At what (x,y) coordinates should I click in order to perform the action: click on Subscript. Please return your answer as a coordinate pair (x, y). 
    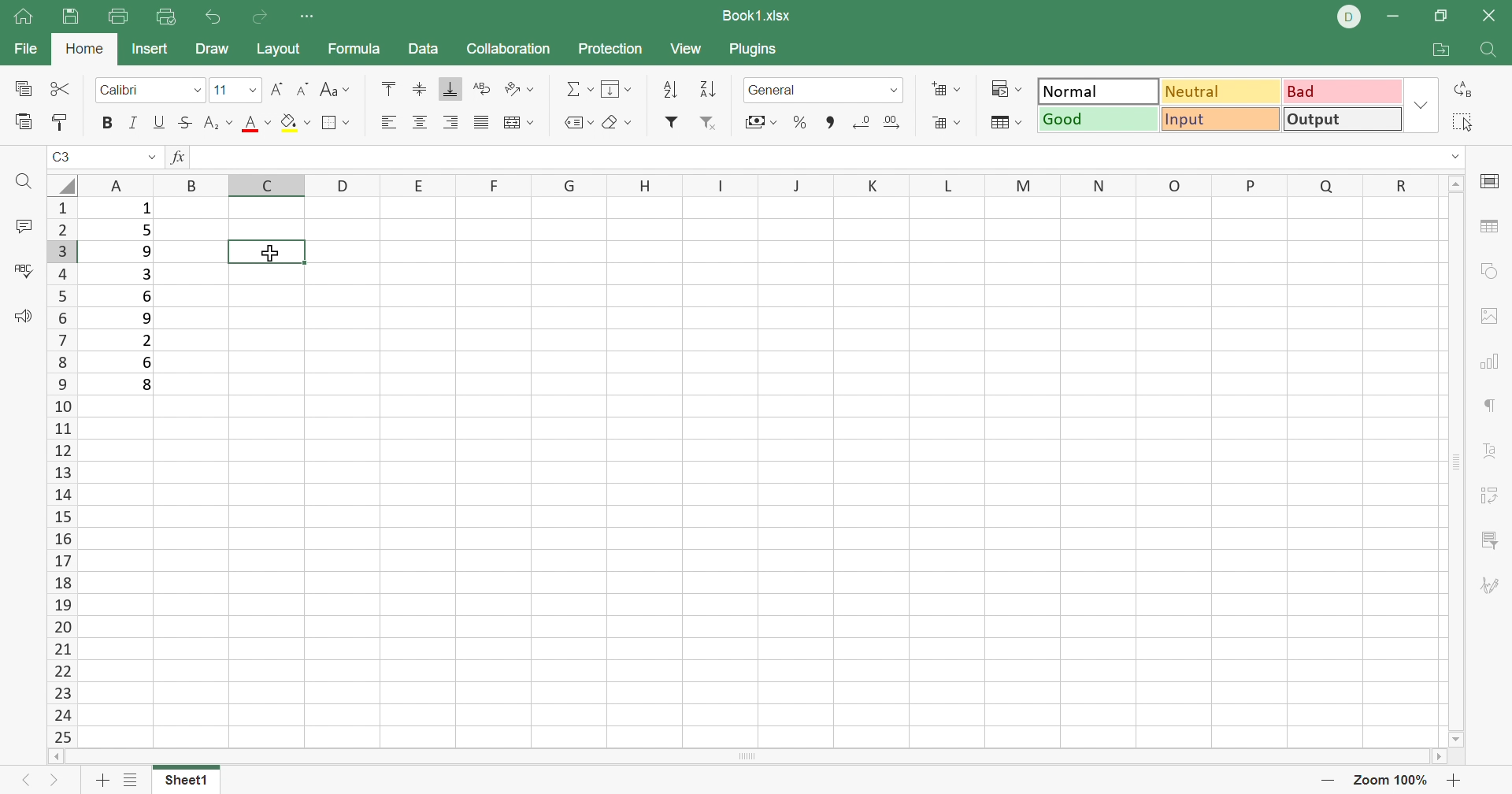
    Looking at the image, I should click on (216, 124).